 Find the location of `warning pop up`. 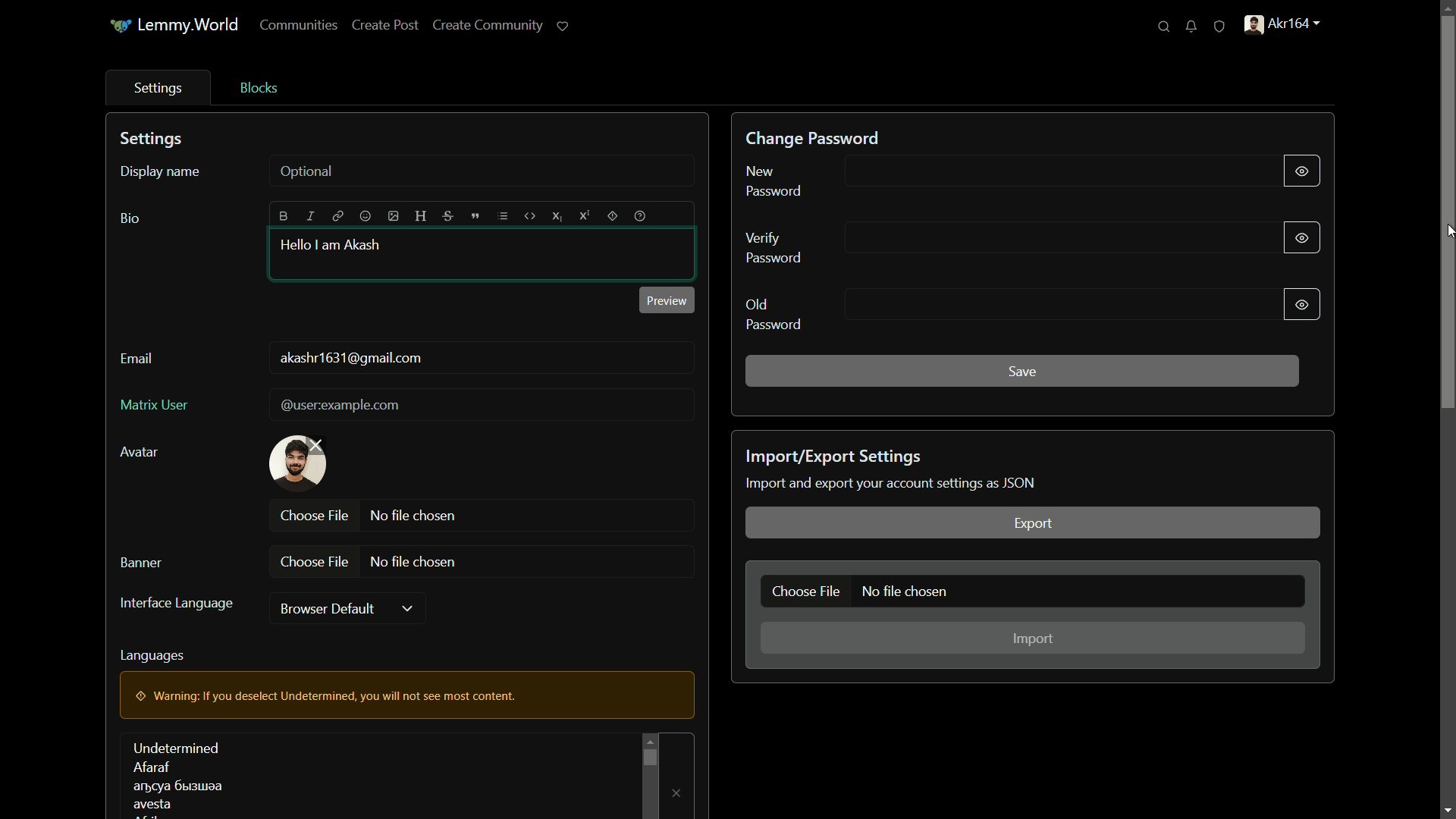

warning pop up is located at coordinates (403, 695).